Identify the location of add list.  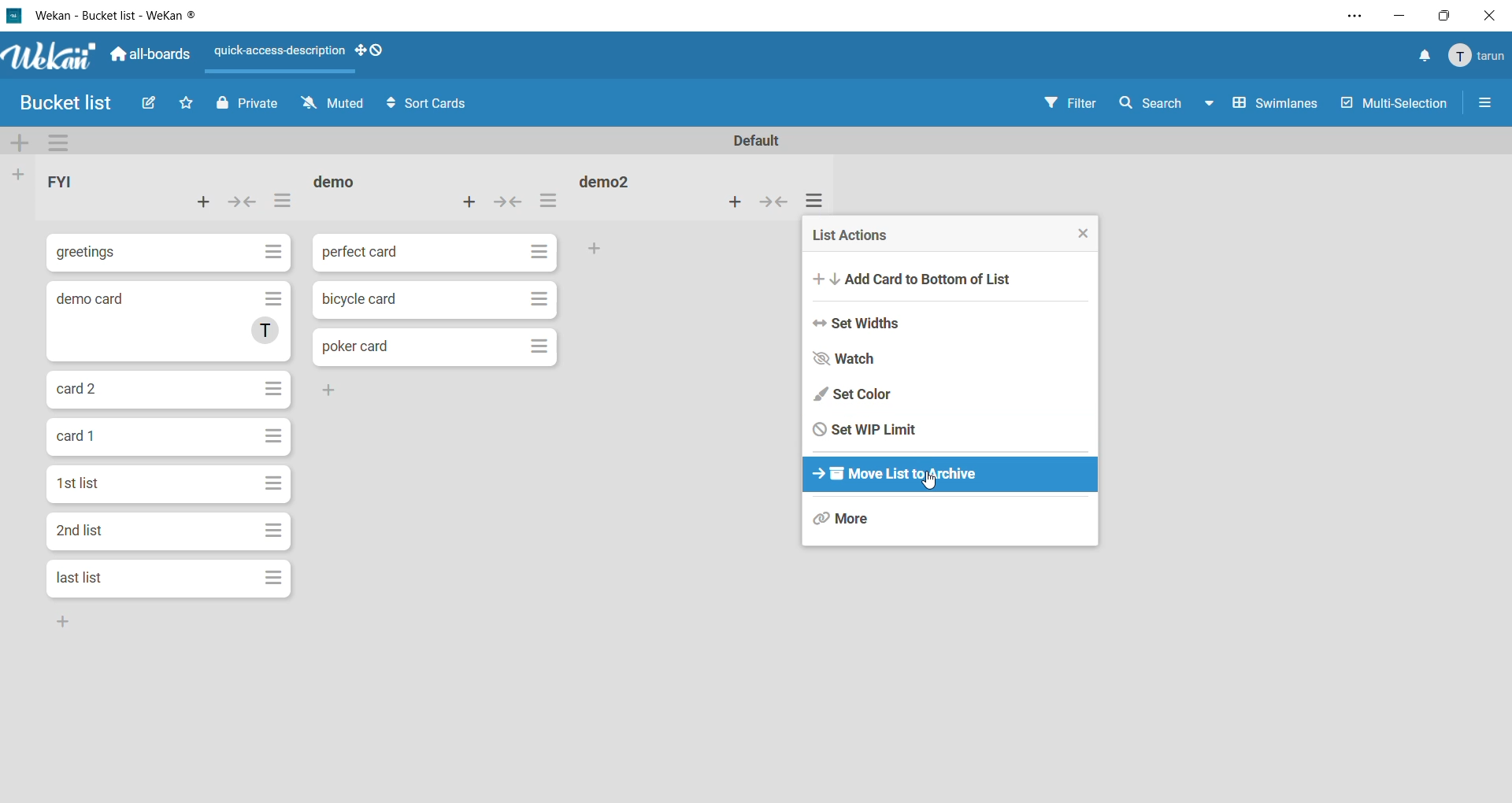
(18, 176).